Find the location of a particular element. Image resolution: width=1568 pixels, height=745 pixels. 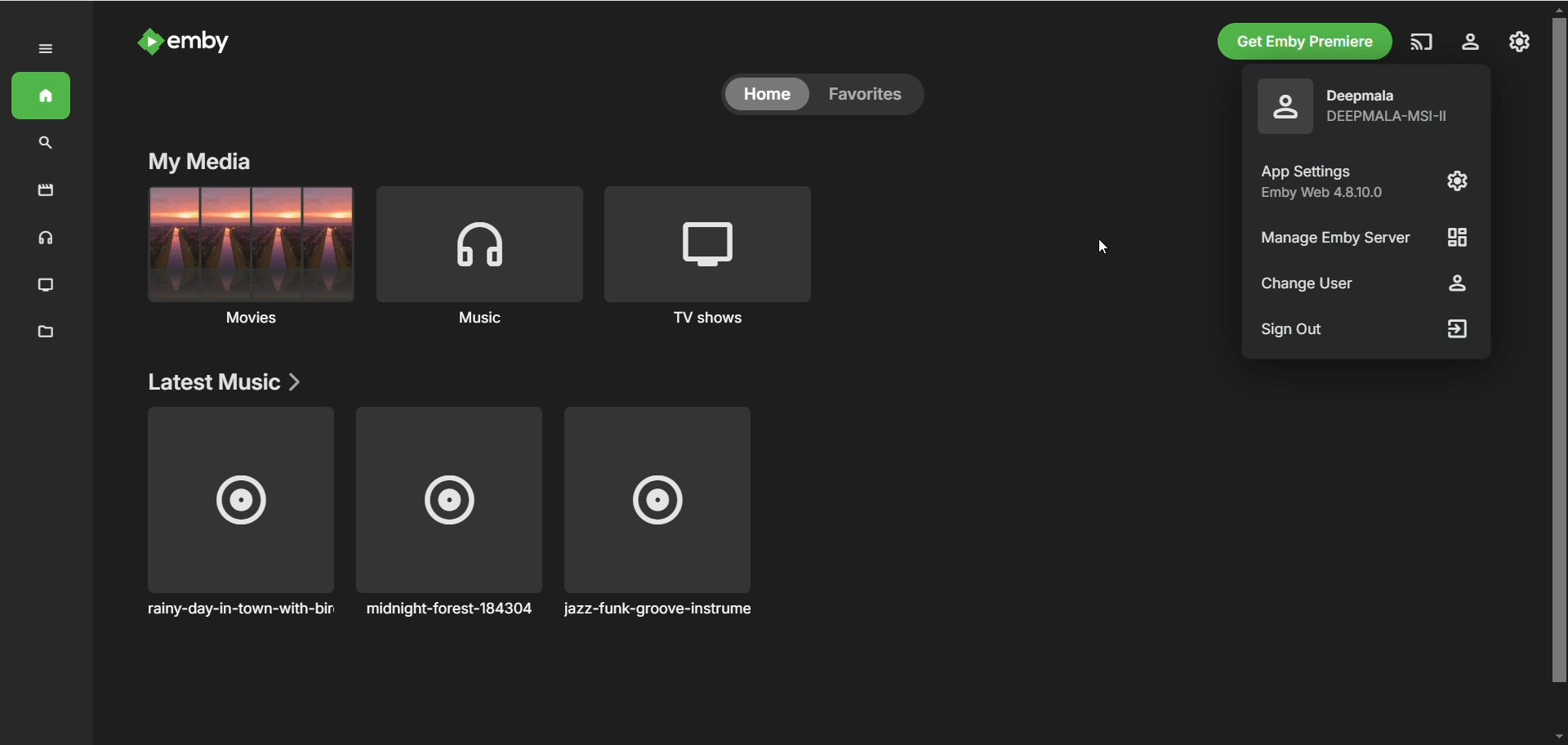

music is located at coordinates (43, 239).